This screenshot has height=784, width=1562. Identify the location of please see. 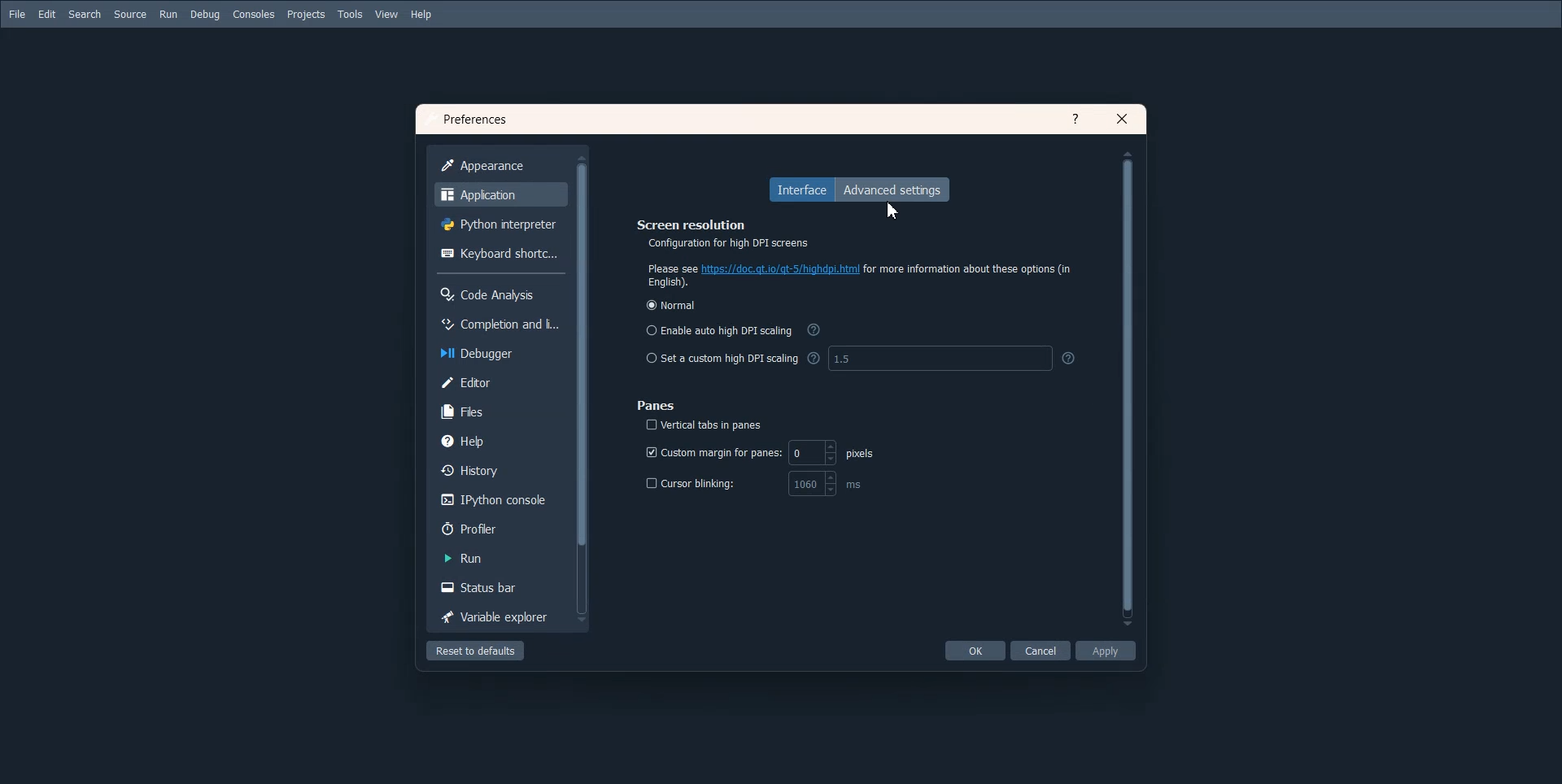
(670, 268).